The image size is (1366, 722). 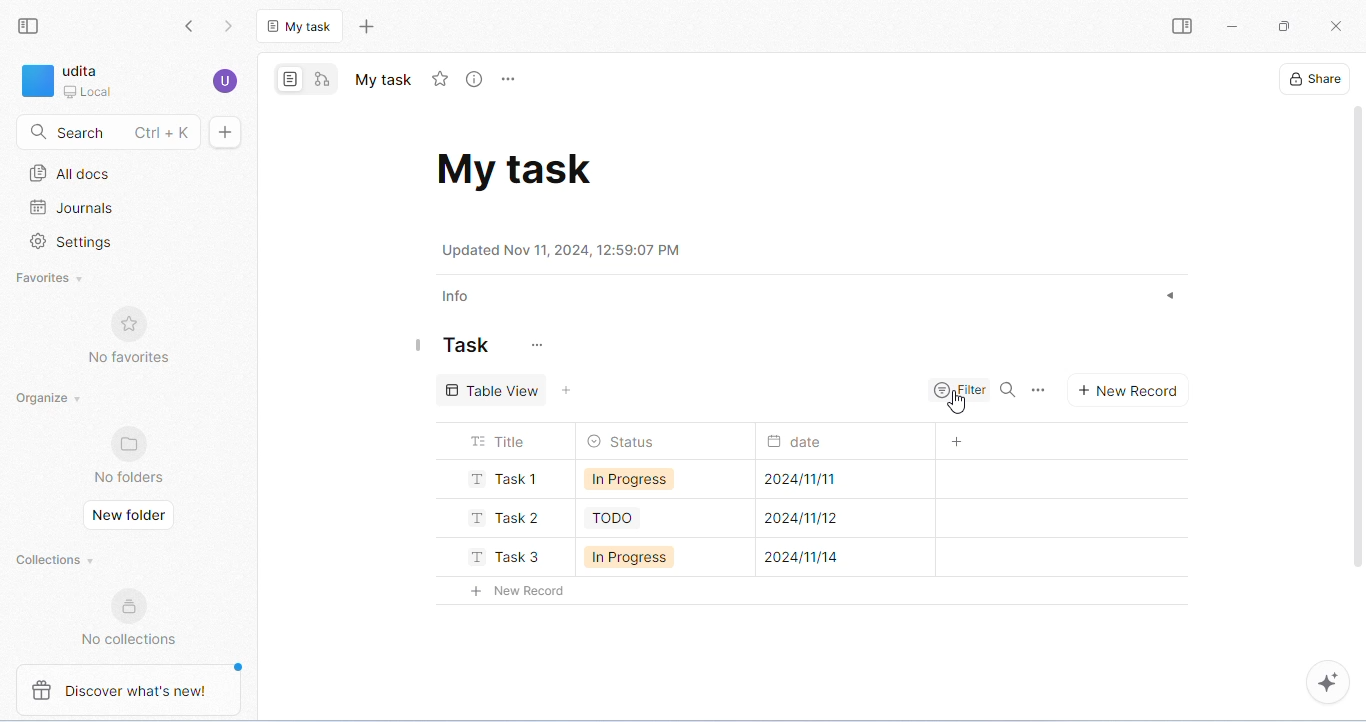 I want to click on date, so click(x=801, y=442).